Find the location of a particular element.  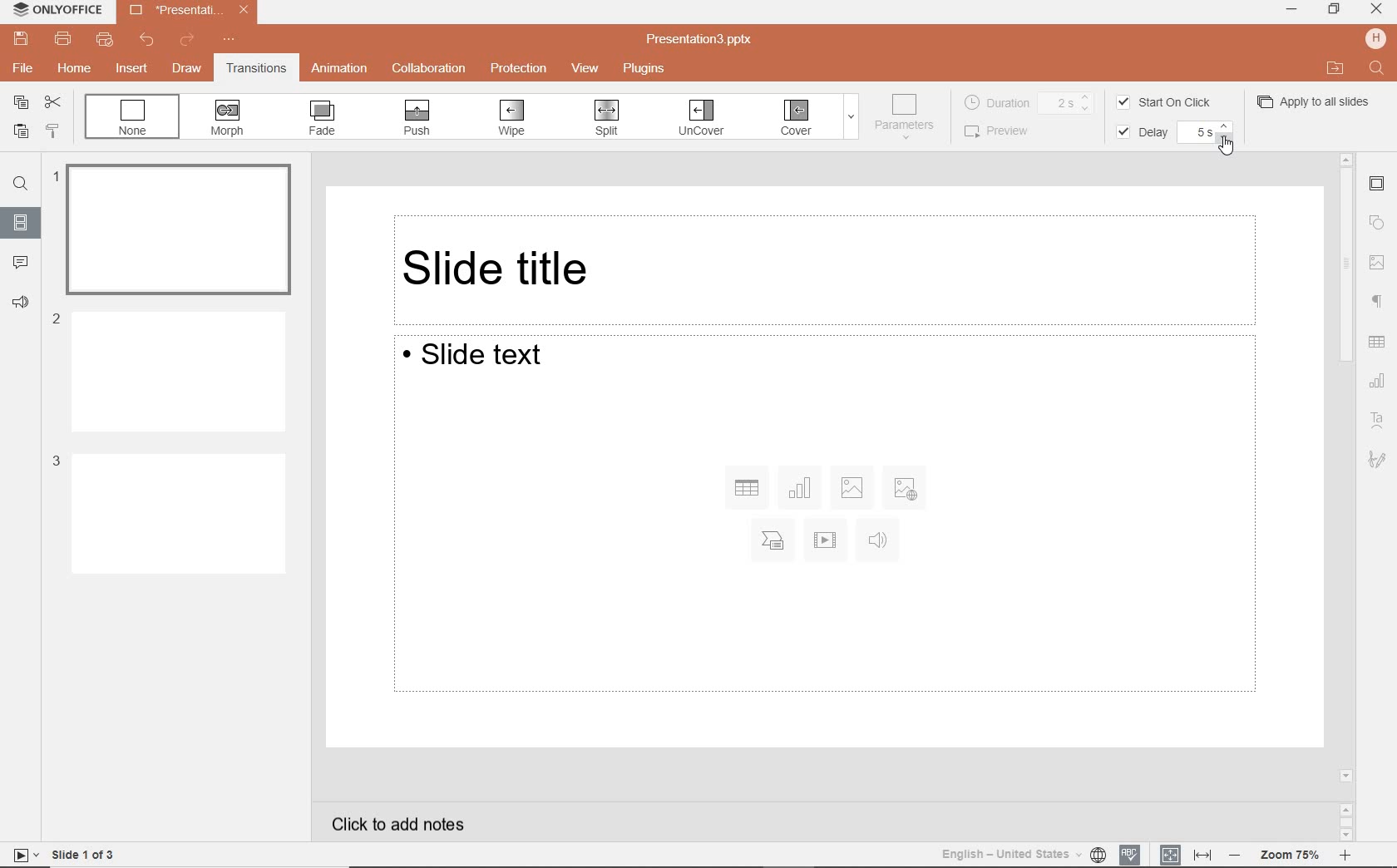

slide 1 is located at coordinates (175, 225).